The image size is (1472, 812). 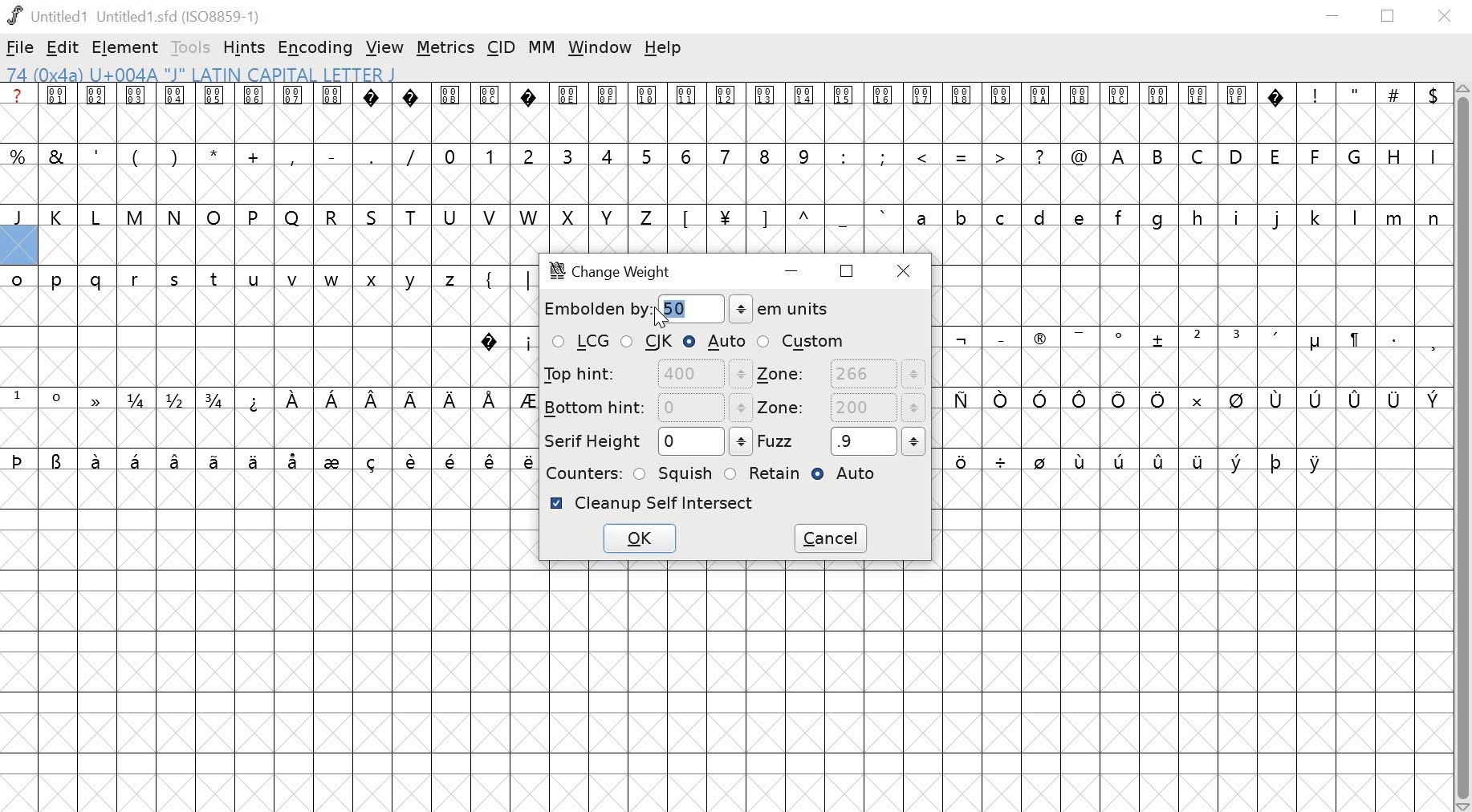 What do you see at coordinates (1463, 448) in the screenshot?
I see `scrollbar` at bounding box center [1463, 448].